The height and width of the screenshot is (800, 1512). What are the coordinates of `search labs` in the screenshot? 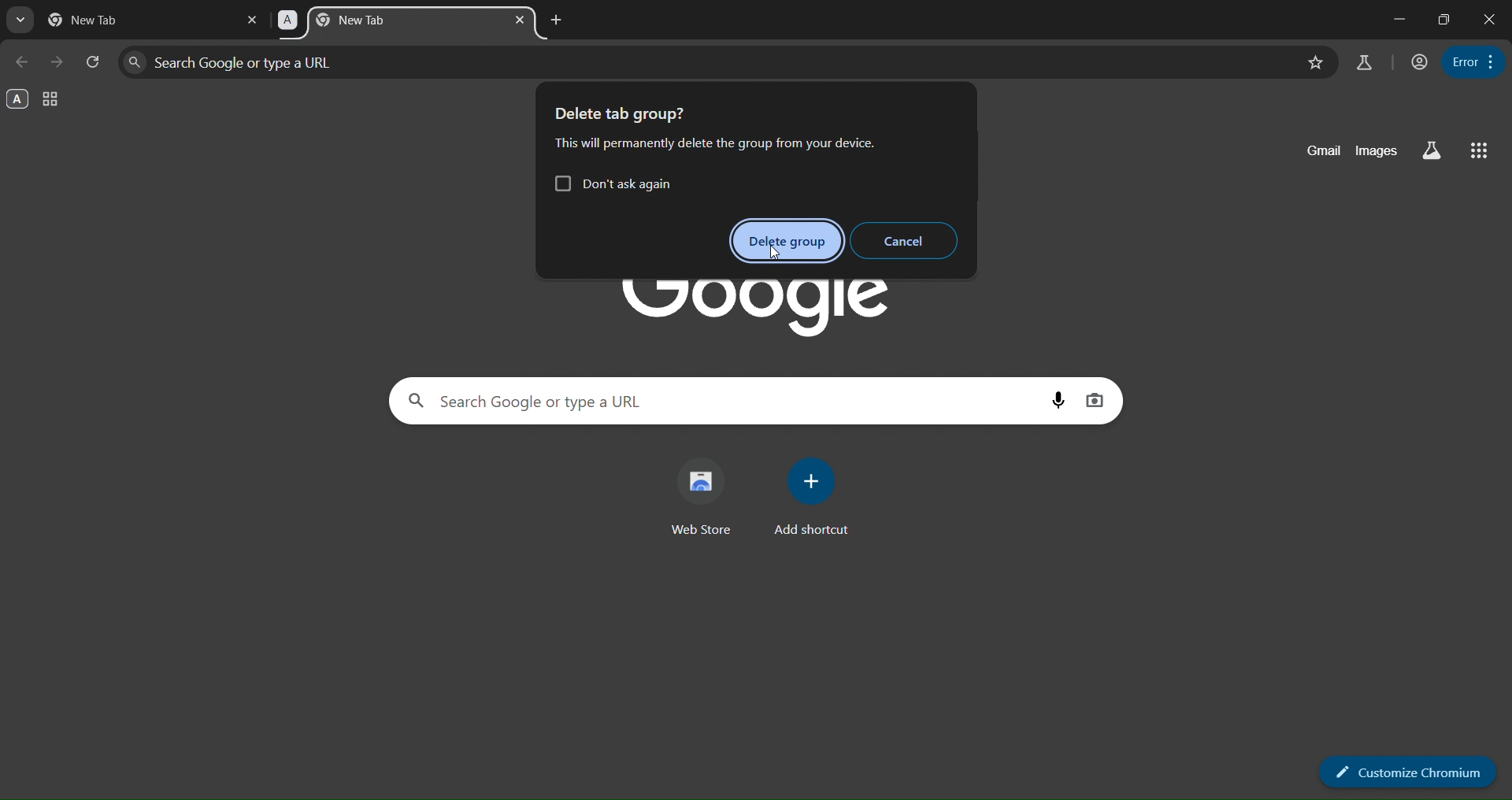 It's located at (1364, 62).